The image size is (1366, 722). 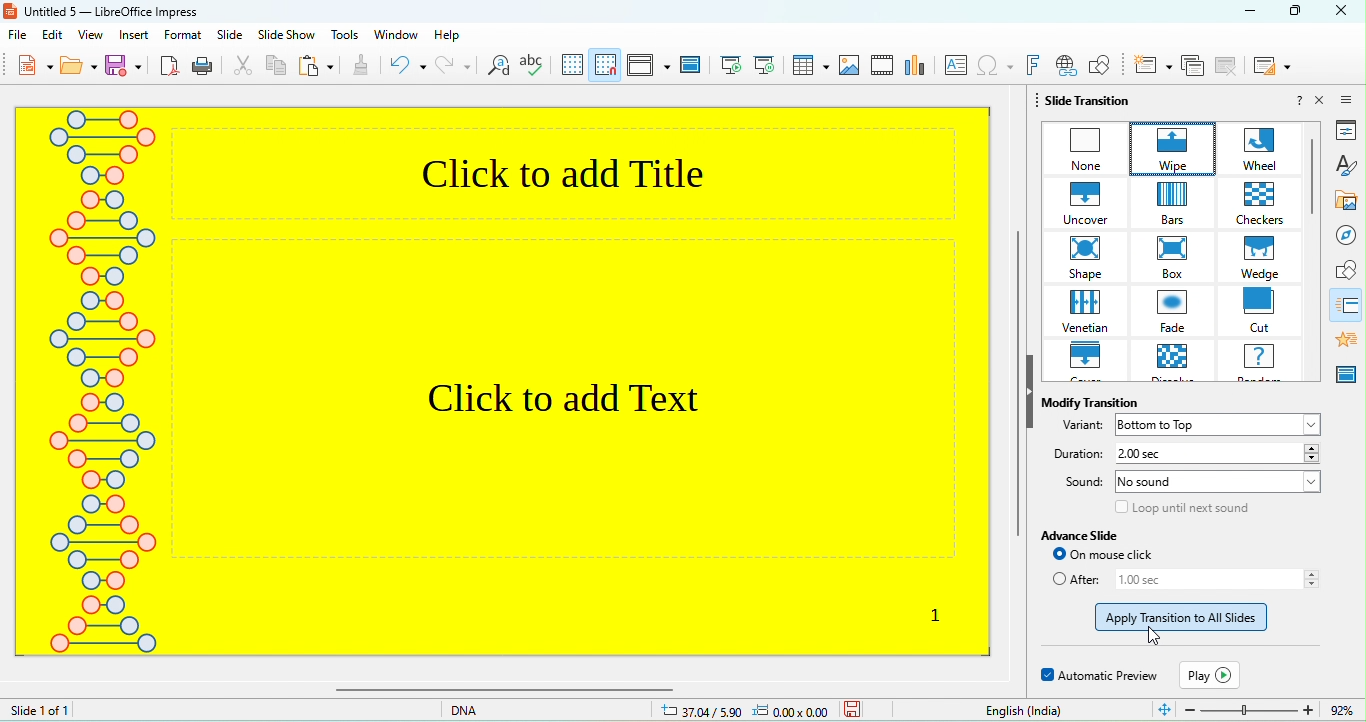 What do you see at coordinates (1190, 617) in the screenshot?
I see `color change on move` at bounding box center [1190, 617].